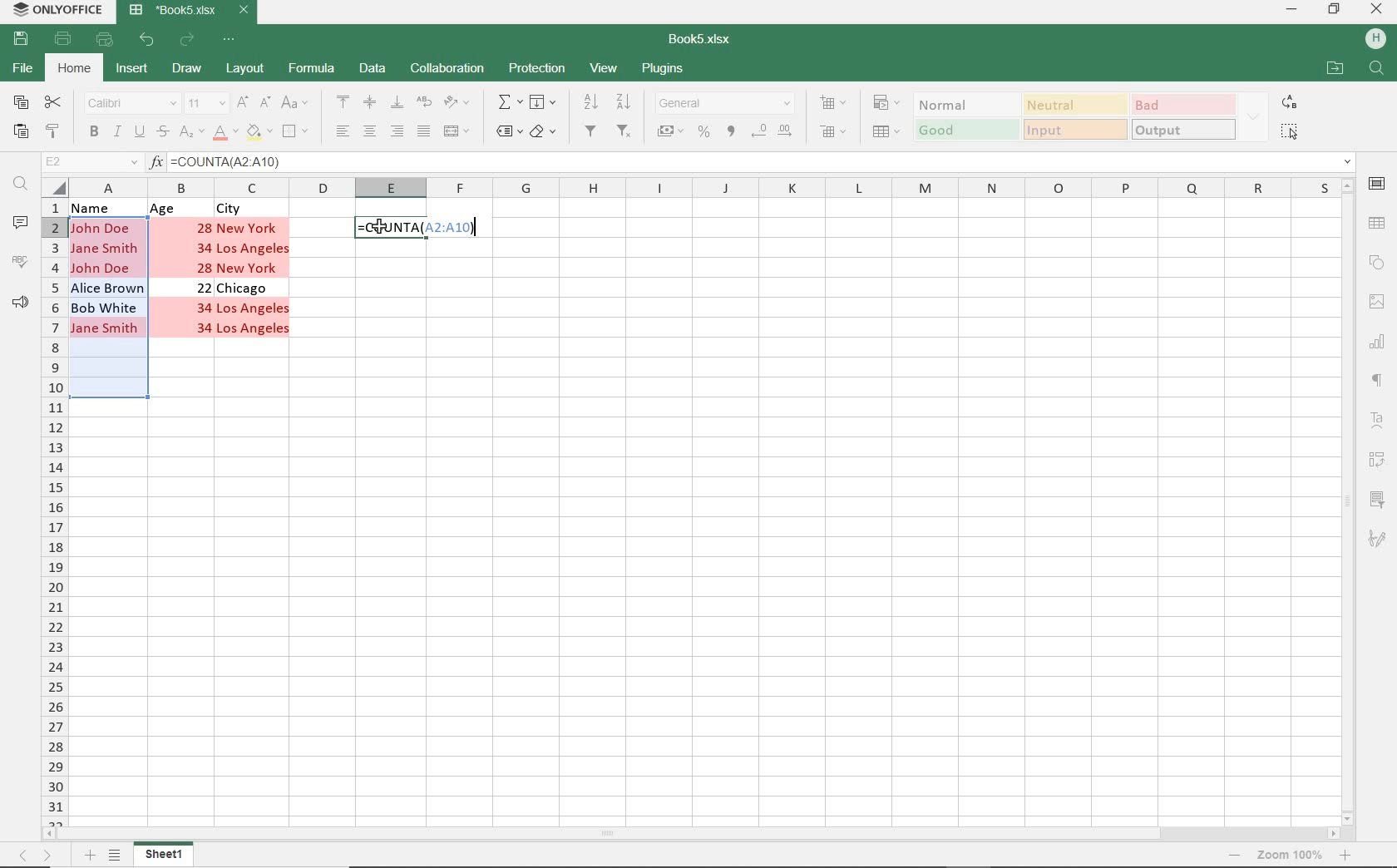 The width and height of the screenshot is (1397, 868). What do you see at coordinates (131, 104) in the screenshot?
I see `FONT` at bounding box center [131, 104].